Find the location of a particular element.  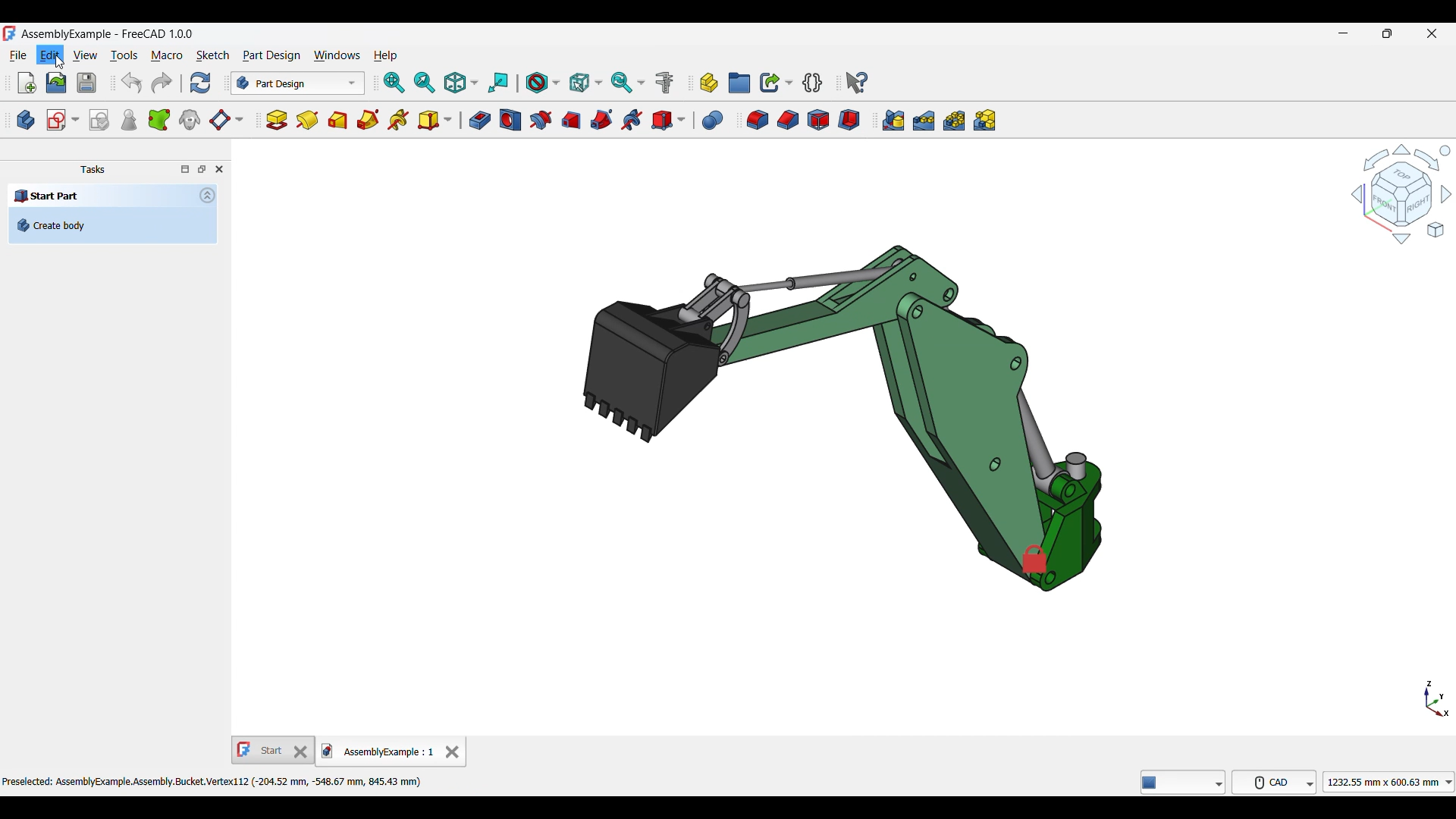

Project name, software name and version is located at coordinates (108, 34).